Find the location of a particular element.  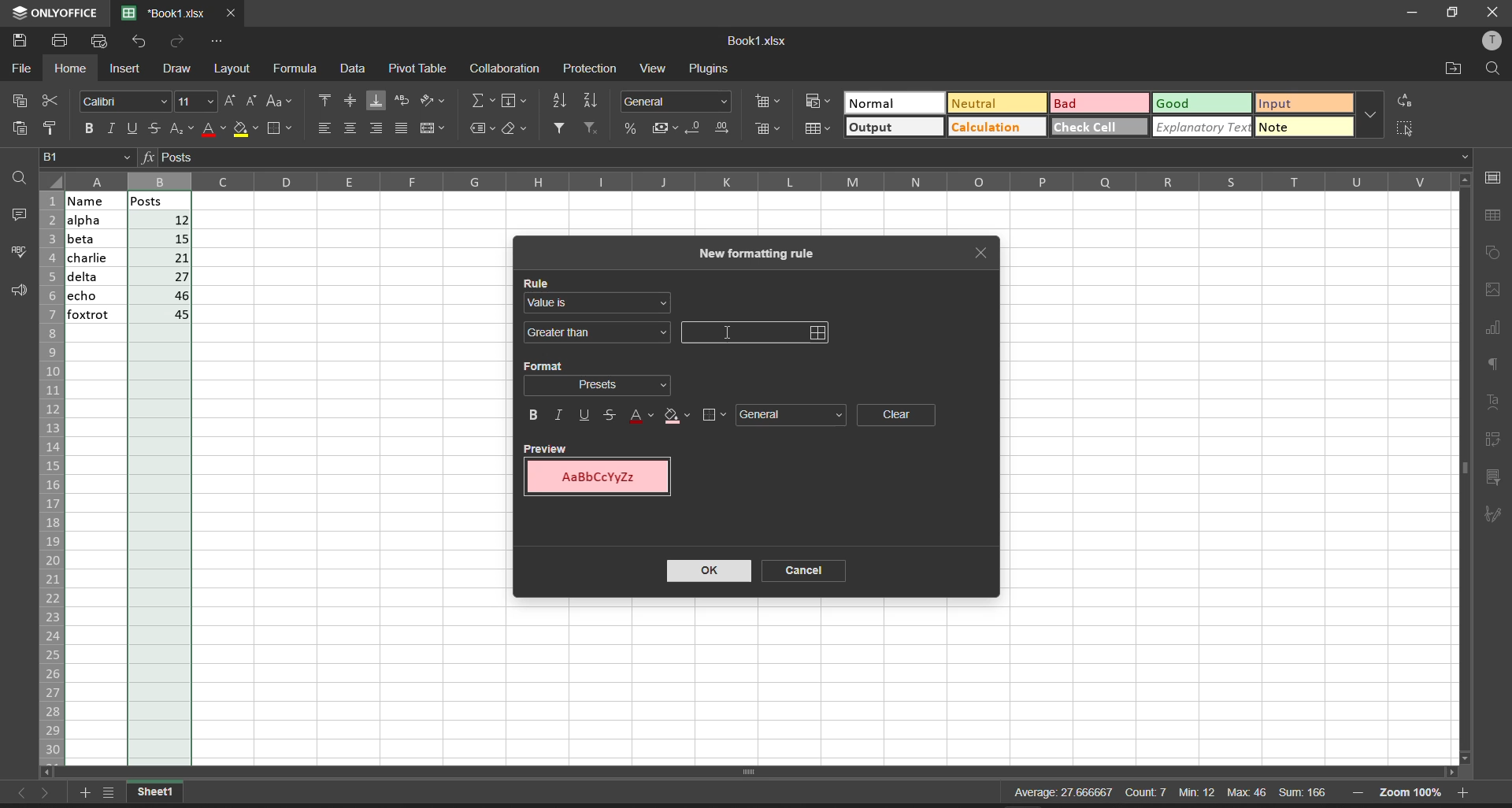

redo is located at coordinates (176, 42).